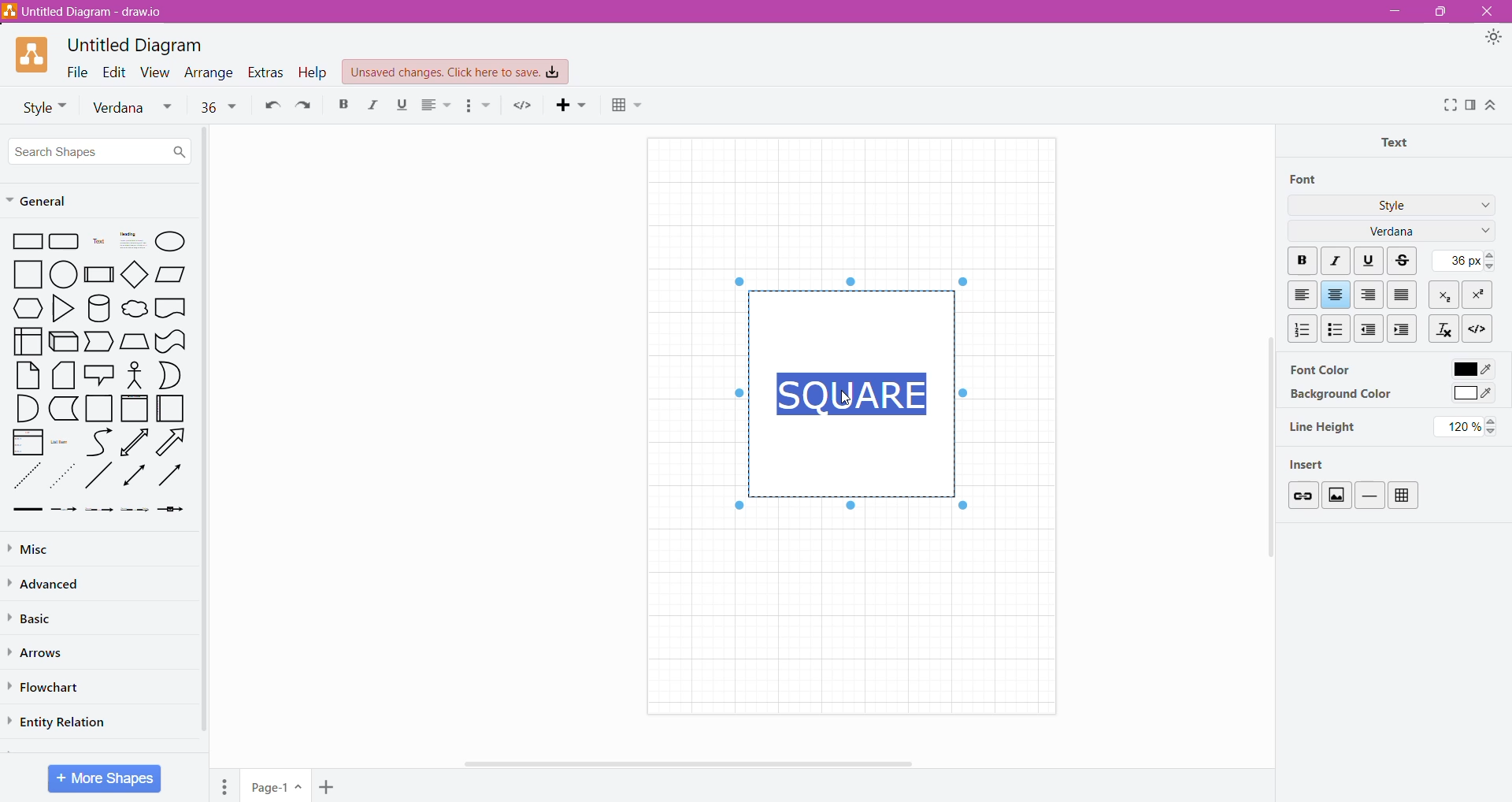  I want to click on Bold, so click(343, 103).